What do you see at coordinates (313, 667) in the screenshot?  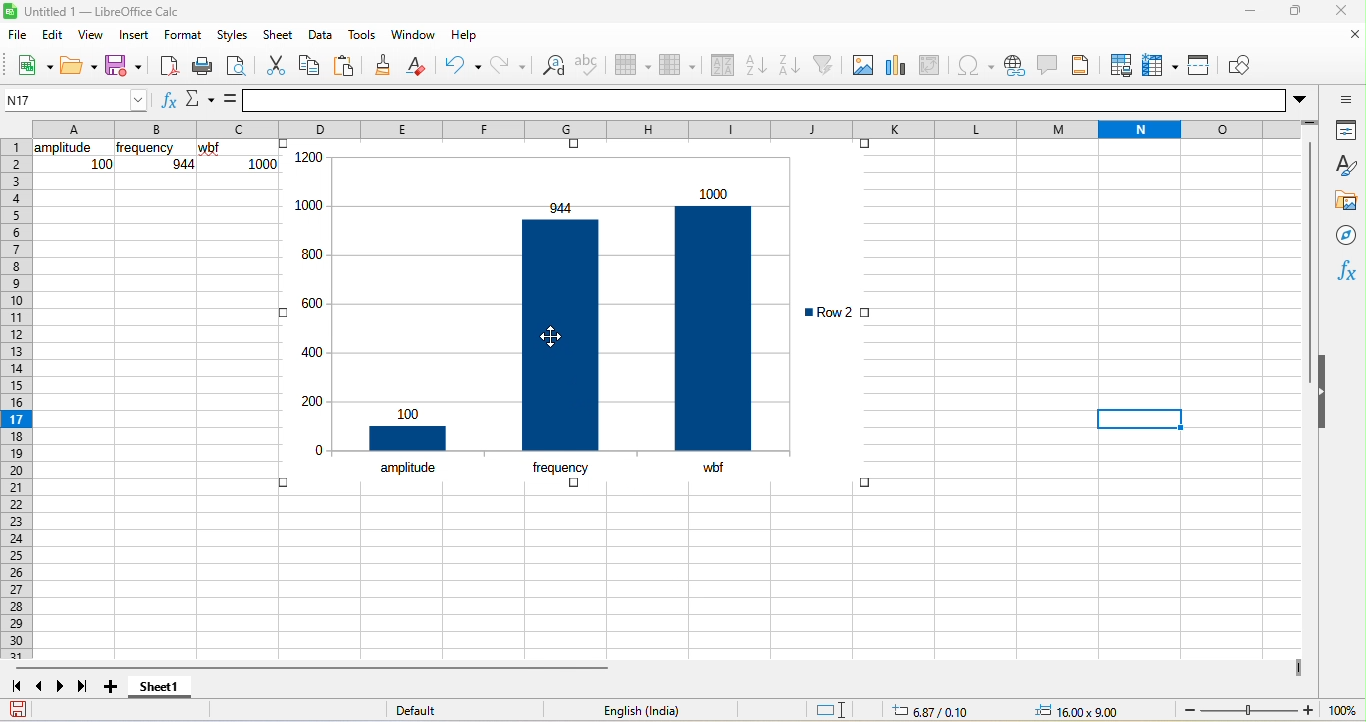 I see `horizontal scroll bar` at bounding box center [313, 667].